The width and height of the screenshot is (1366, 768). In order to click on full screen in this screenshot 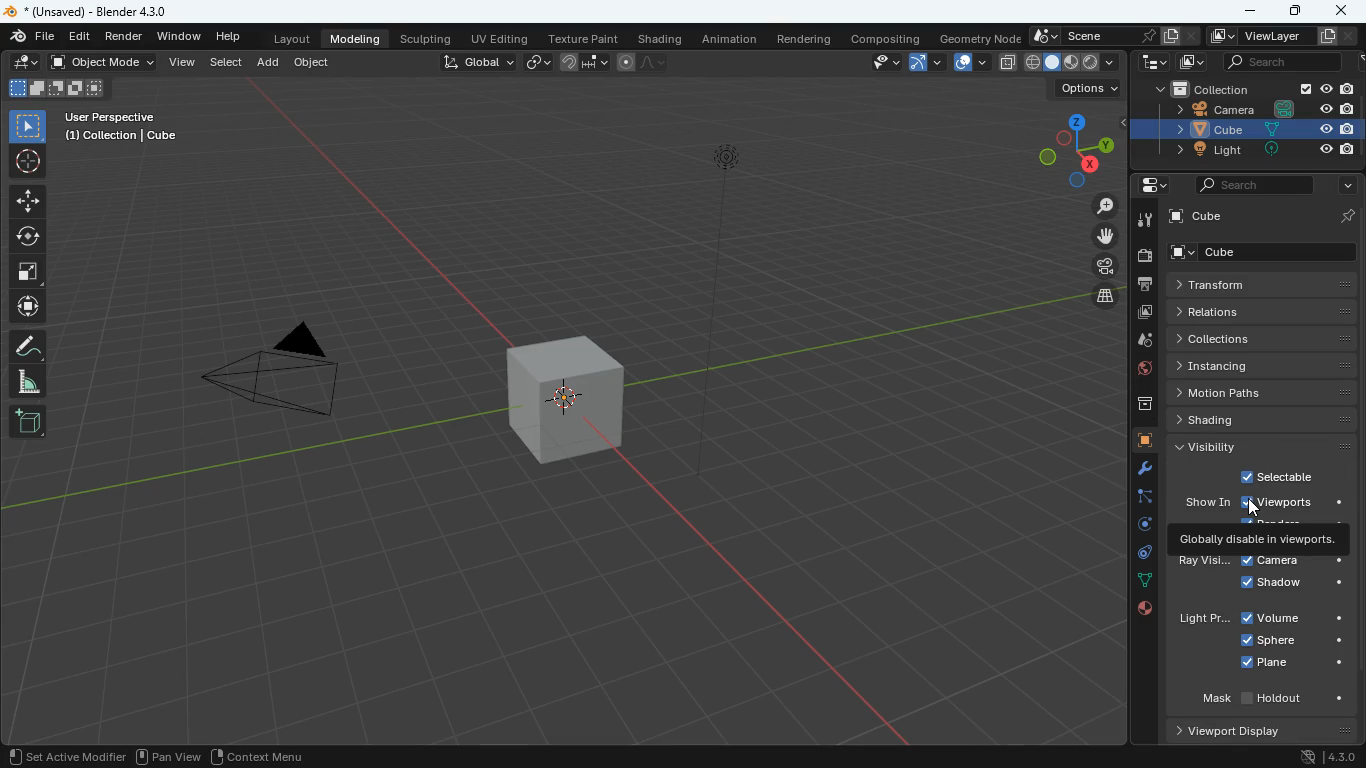, I will do `click(27, 273)`.